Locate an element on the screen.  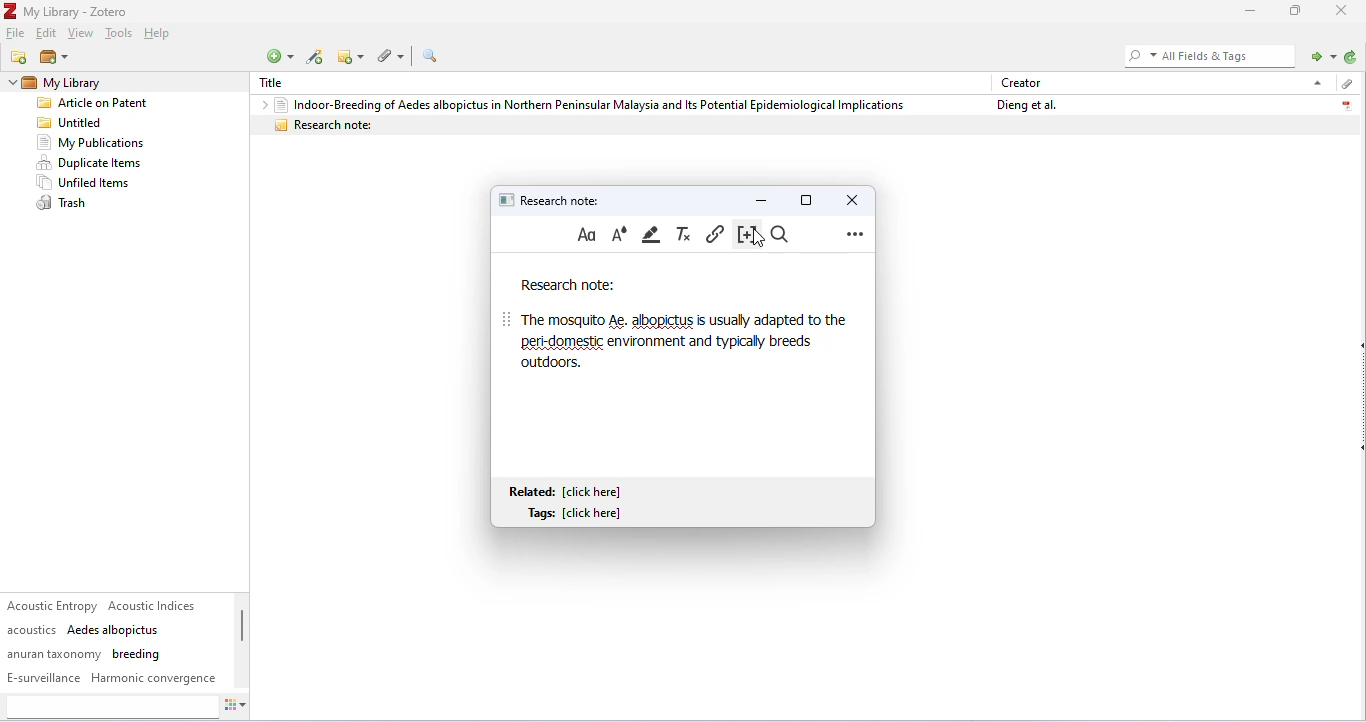
clear formatting is located at coordinates (685, 234).